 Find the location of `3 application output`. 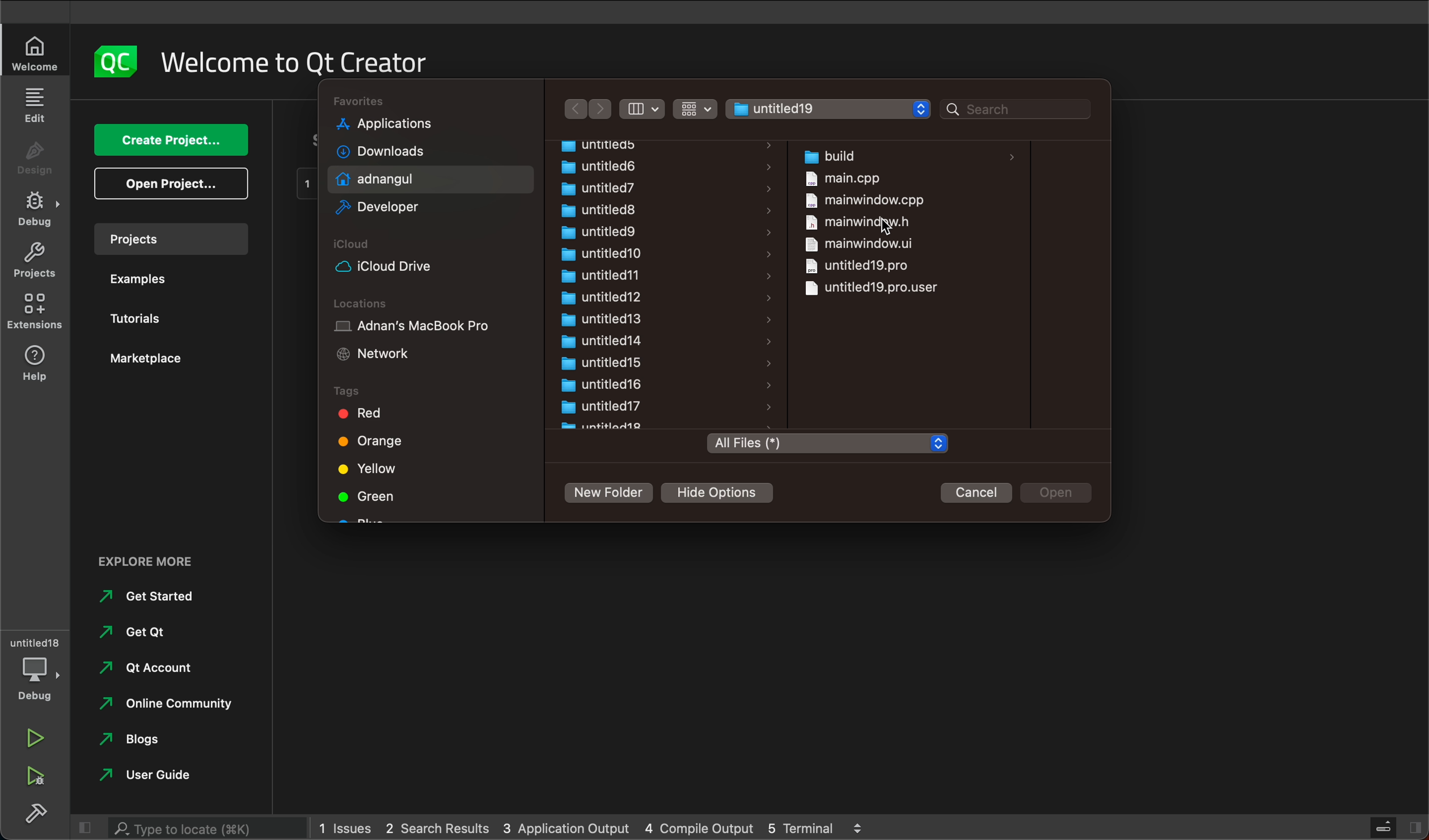

3 application output is located at coordinates (566, 826).